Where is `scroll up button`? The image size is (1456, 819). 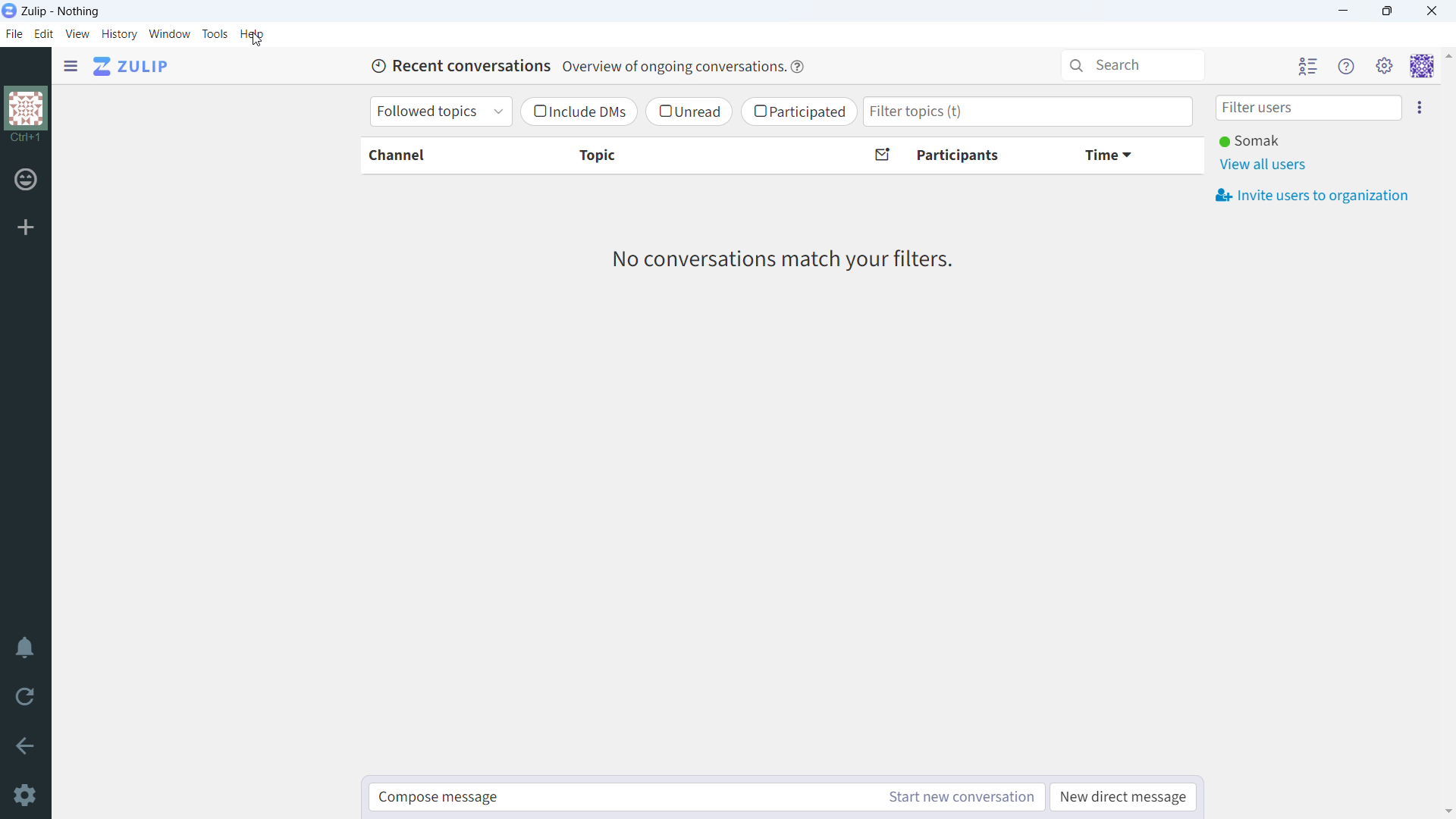 scroll up button is located at coordinates (1447, 55).